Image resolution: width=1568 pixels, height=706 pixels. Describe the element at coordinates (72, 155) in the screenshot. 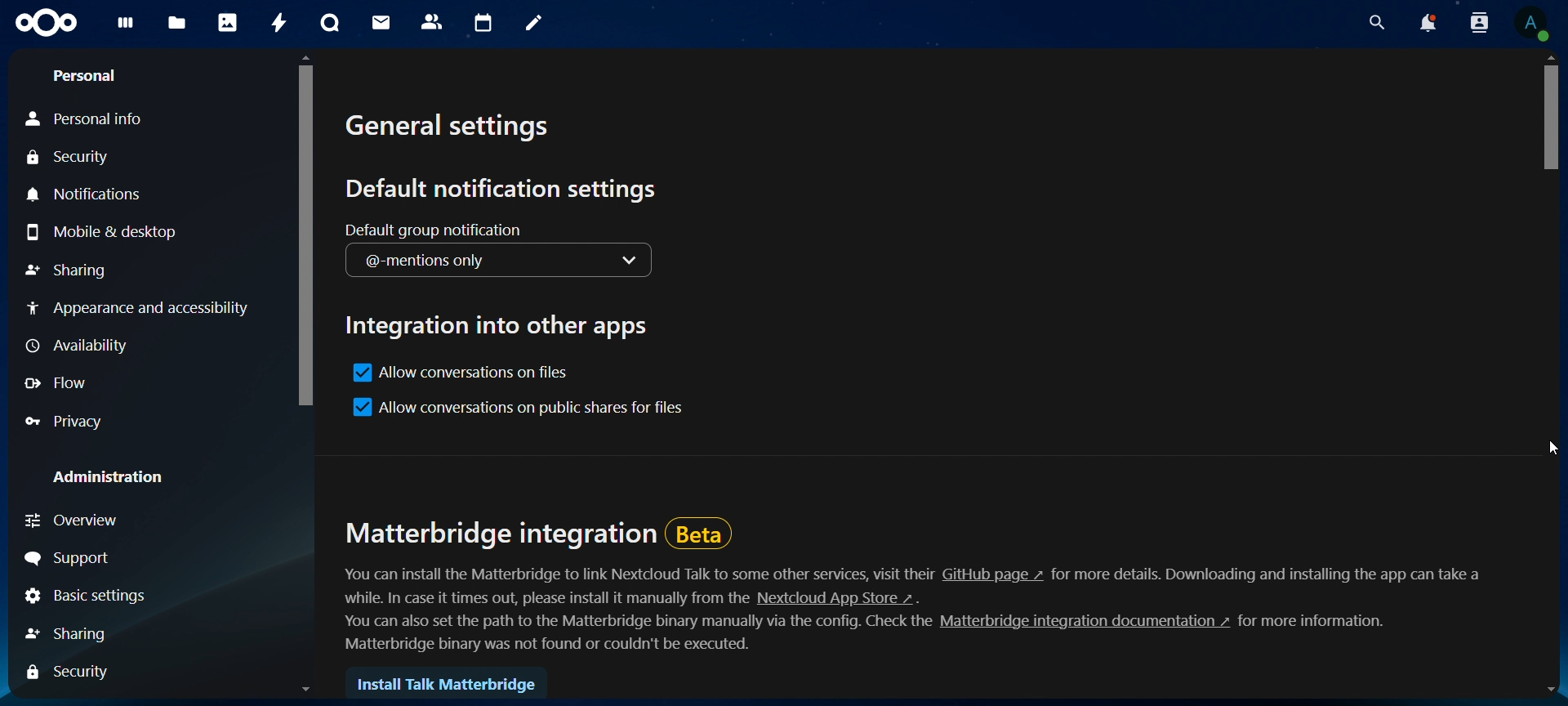

I see `Security` at that location.